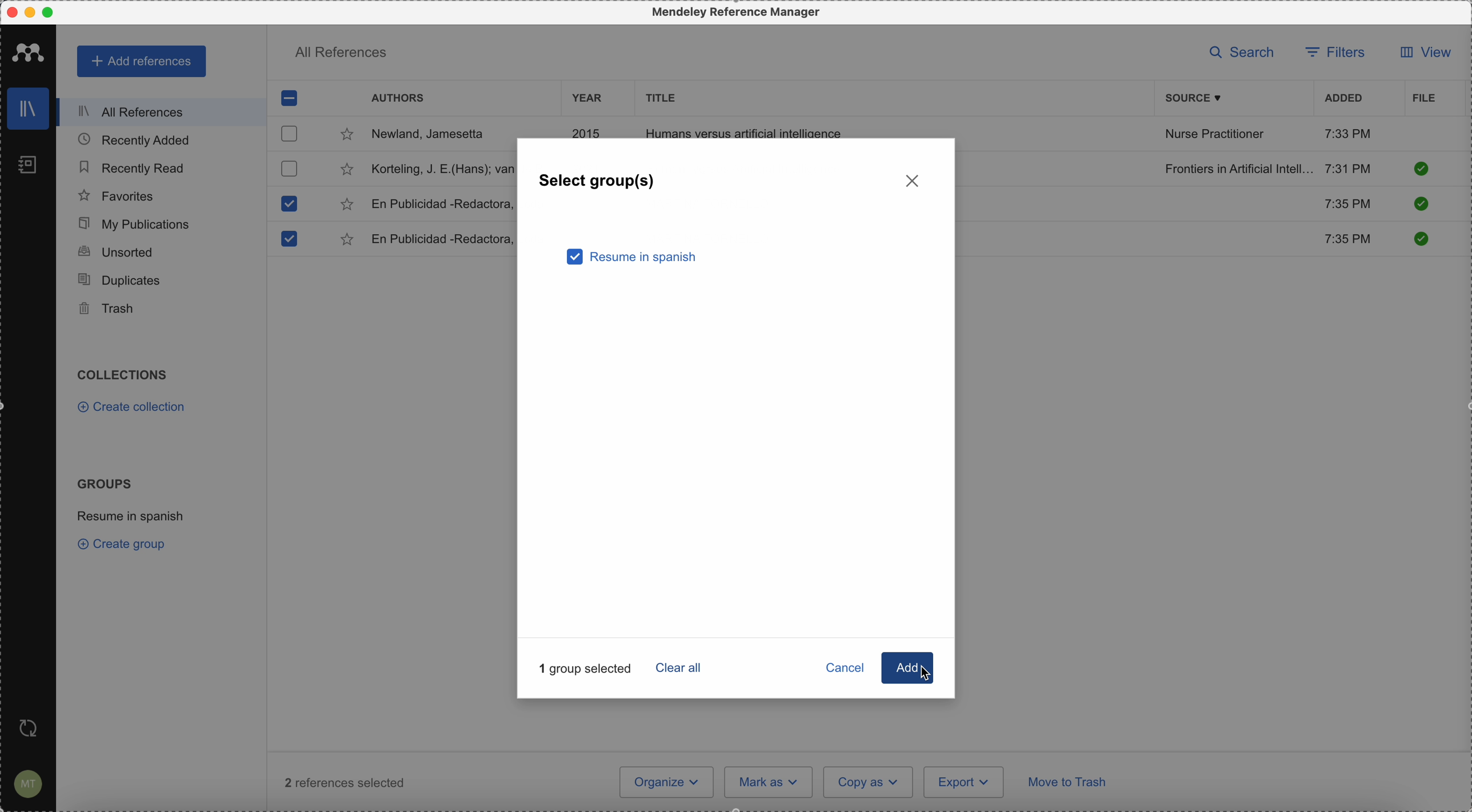 The width and height of the screenshot is (1472, 812). I want to click on favorite, so click(346, 205).